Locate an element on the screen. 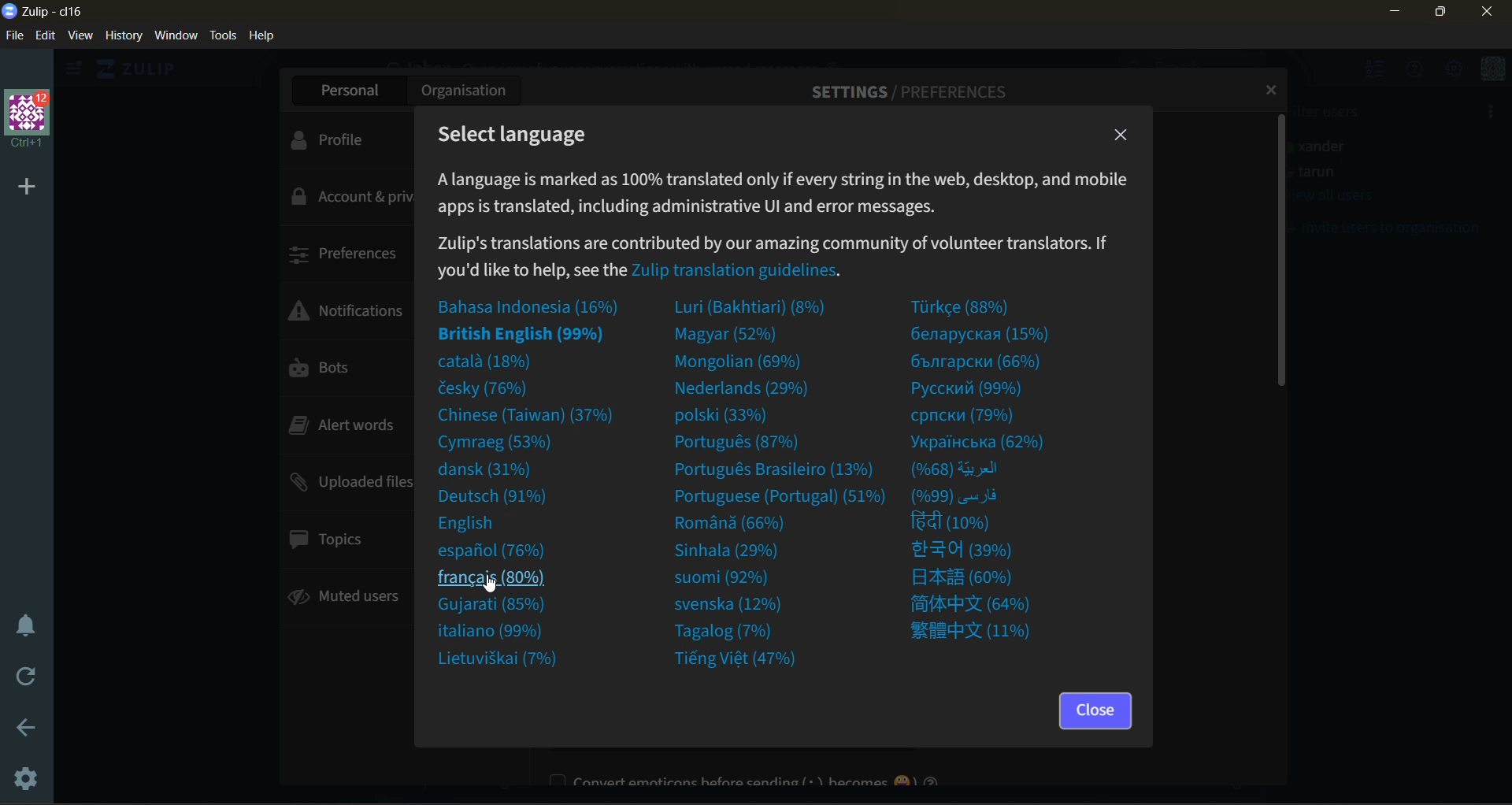  personal is located at coordinates (352, 90).